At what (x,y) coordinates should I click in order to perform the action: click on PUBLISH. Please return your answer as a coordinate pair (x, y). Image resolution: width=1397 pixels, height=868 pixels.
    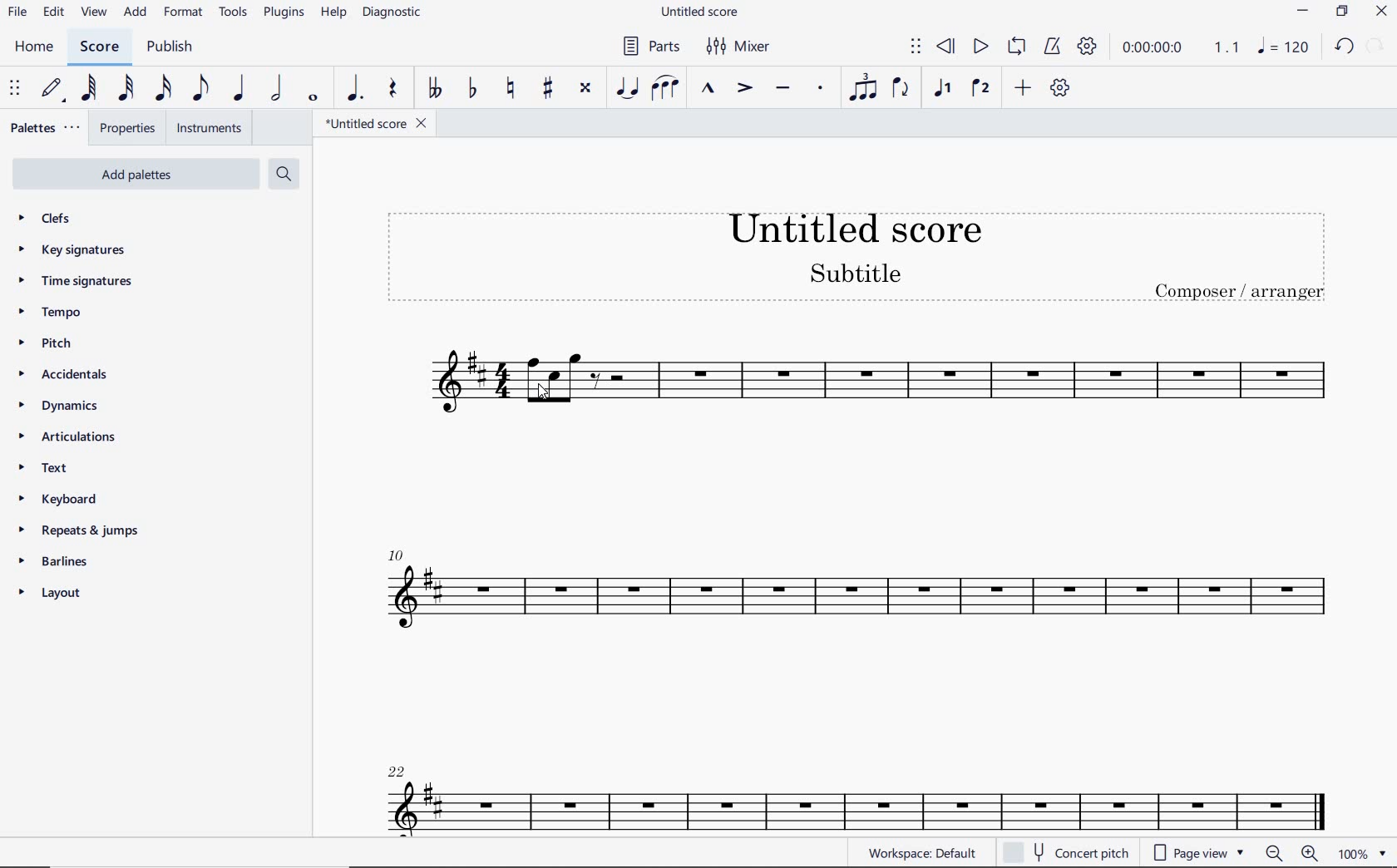
    Looking at the image, I should click on (171, 49).